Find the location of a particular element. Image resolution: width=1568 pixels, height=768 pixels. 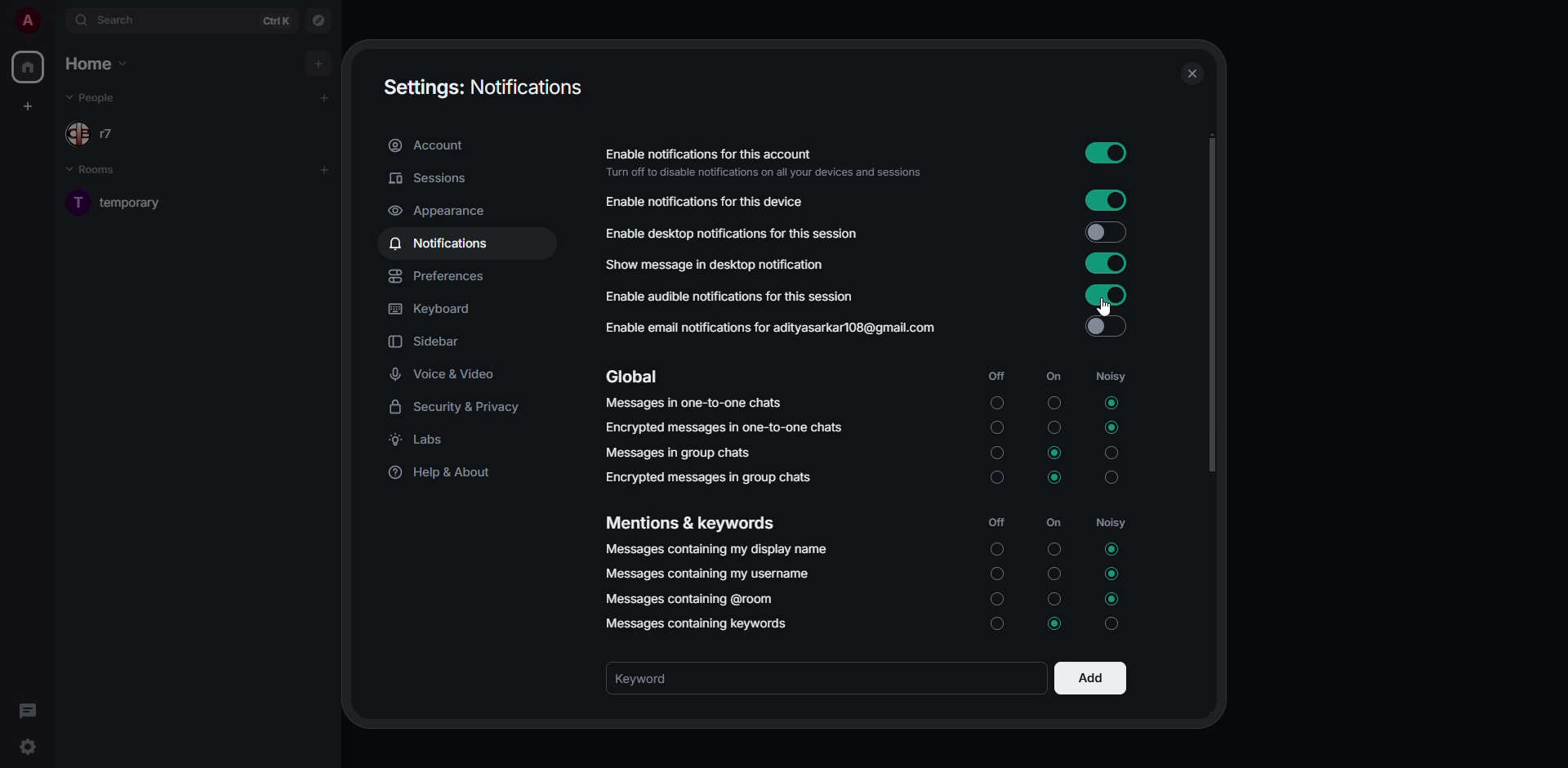

selected is located at coordinates (1057, 453).